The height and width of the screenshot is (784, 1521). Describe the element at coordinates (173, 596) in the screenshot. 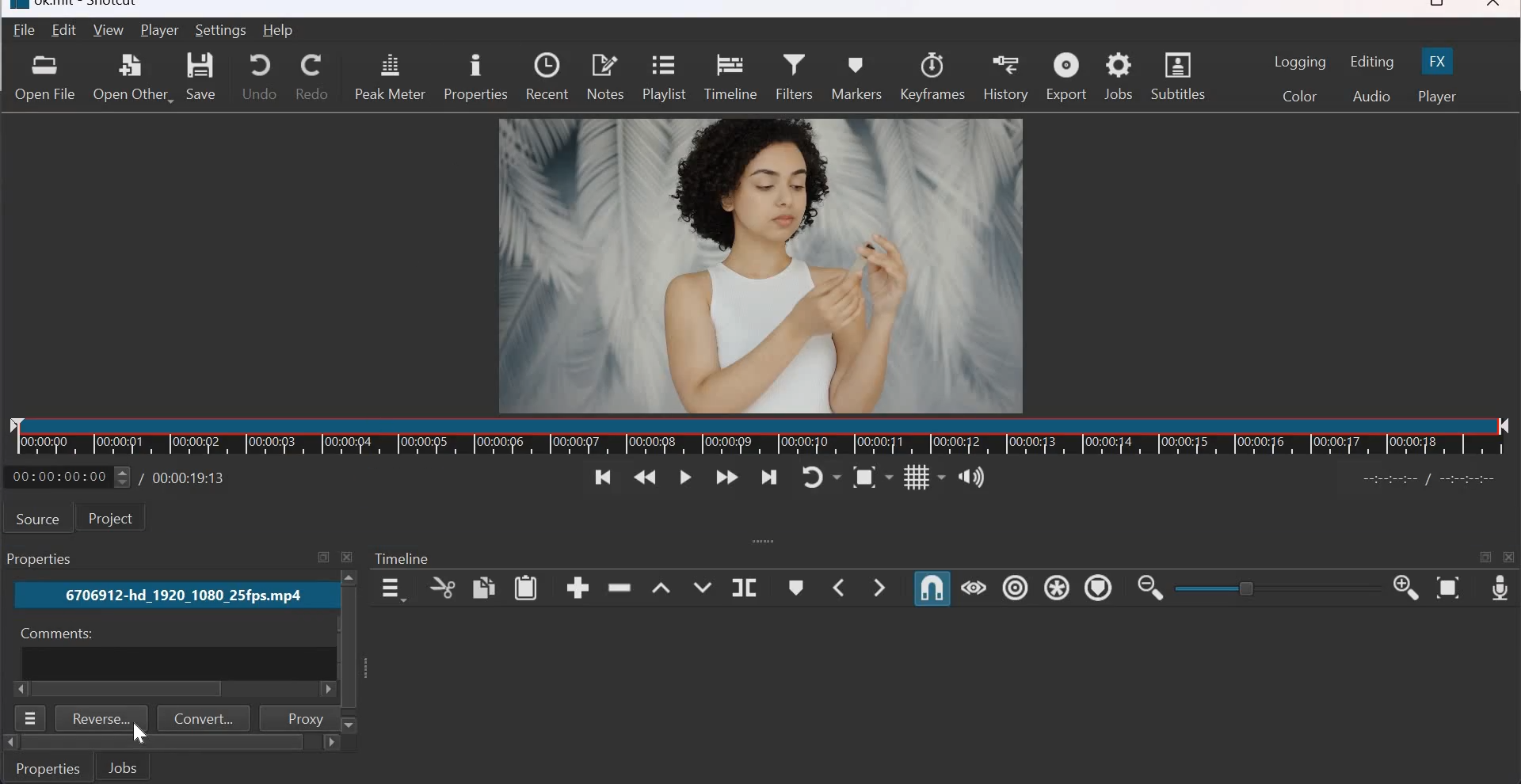

I see `mp4 file` at that location.